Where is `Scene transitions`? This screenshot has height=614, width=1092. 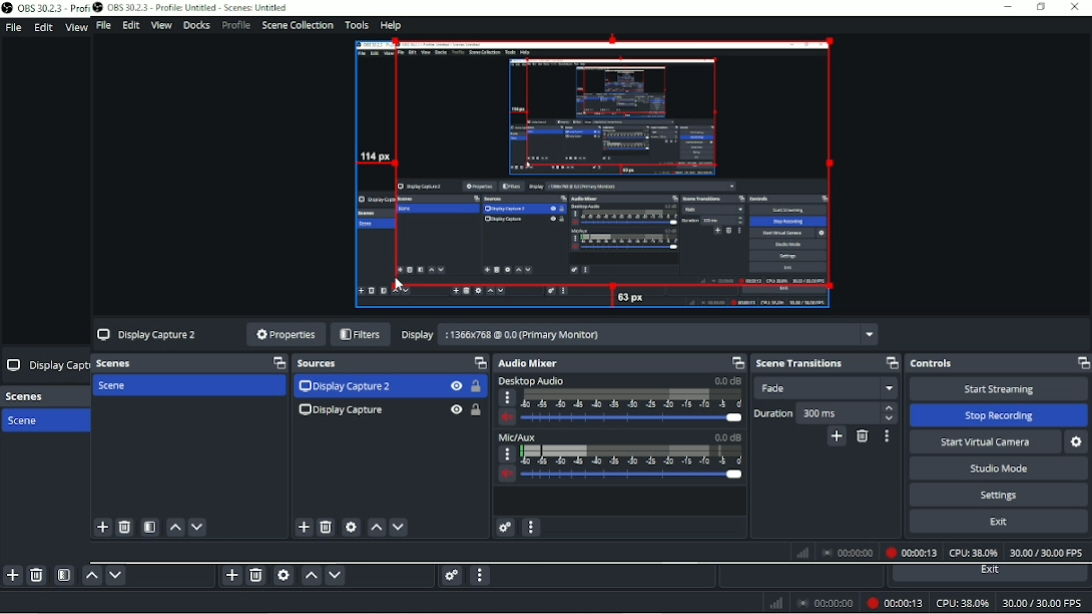
Scene transitions is located at coordinates (805, 364).